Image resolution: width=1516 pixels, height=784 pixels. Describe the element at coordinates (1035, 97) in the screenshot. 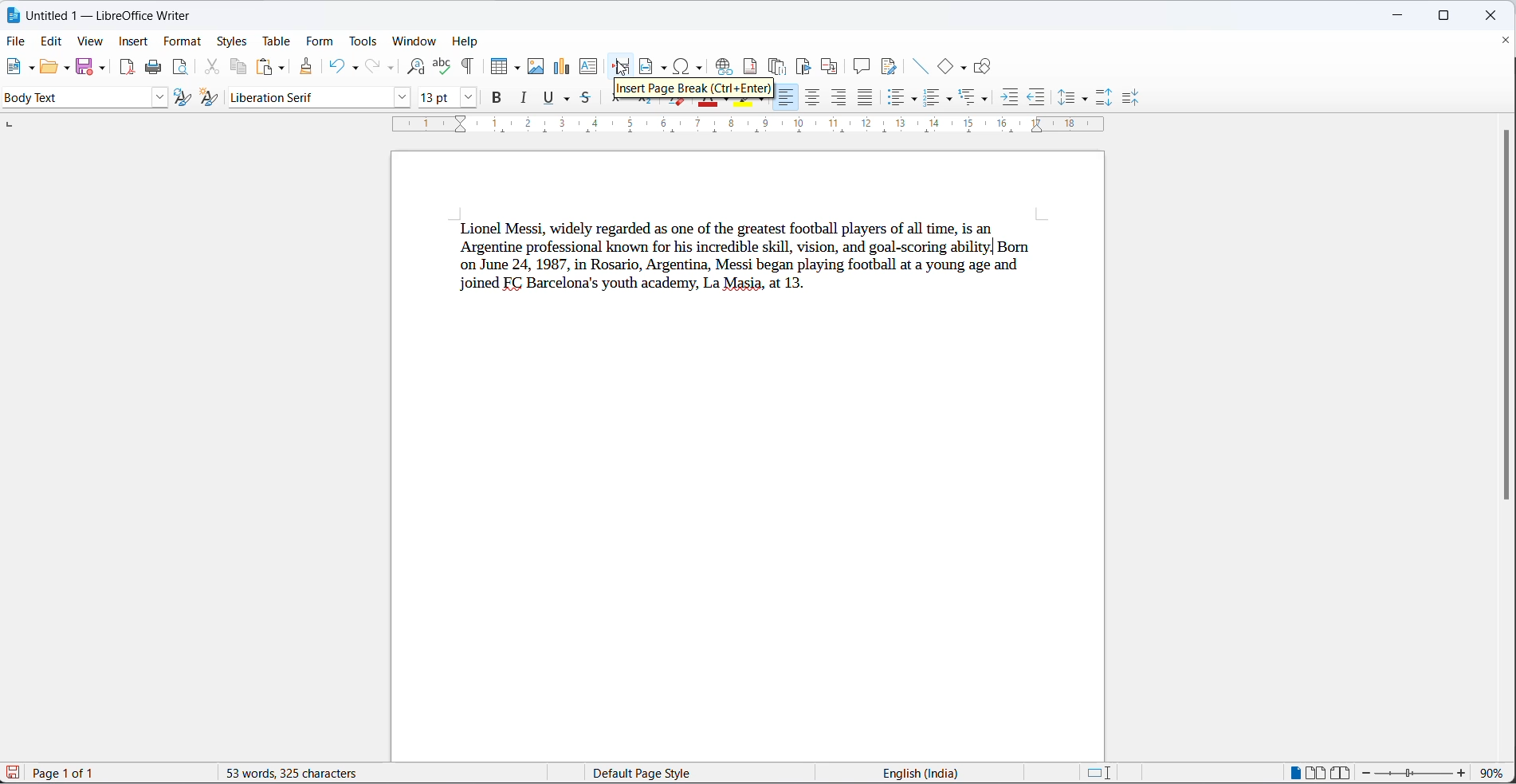

I see `decrease indent` at that location.